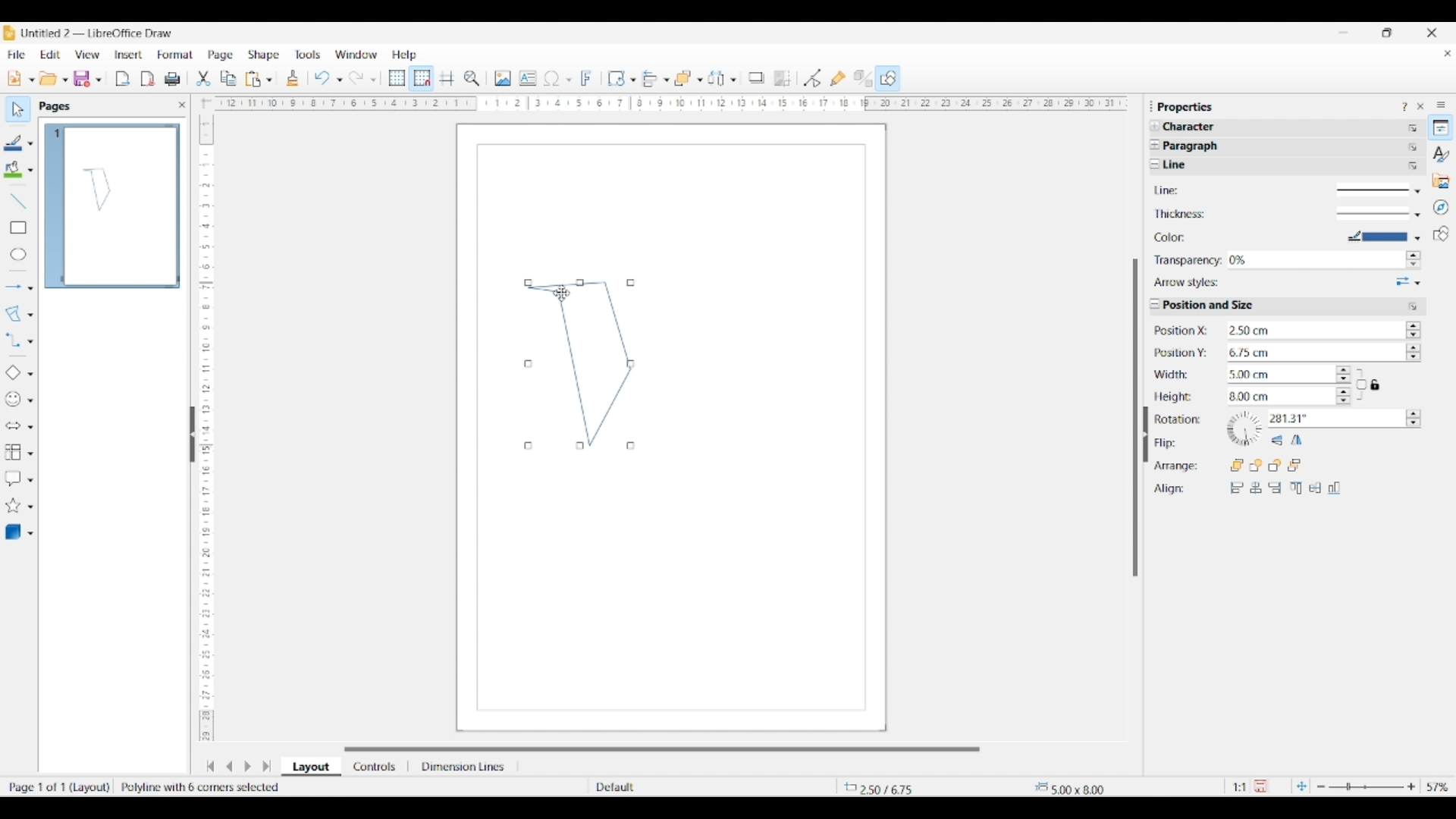 The height and width of the screenshot is (819, 1456). Describe the element at coordinates (756, 77) in the screenshot. I see `Shadow` at that location.